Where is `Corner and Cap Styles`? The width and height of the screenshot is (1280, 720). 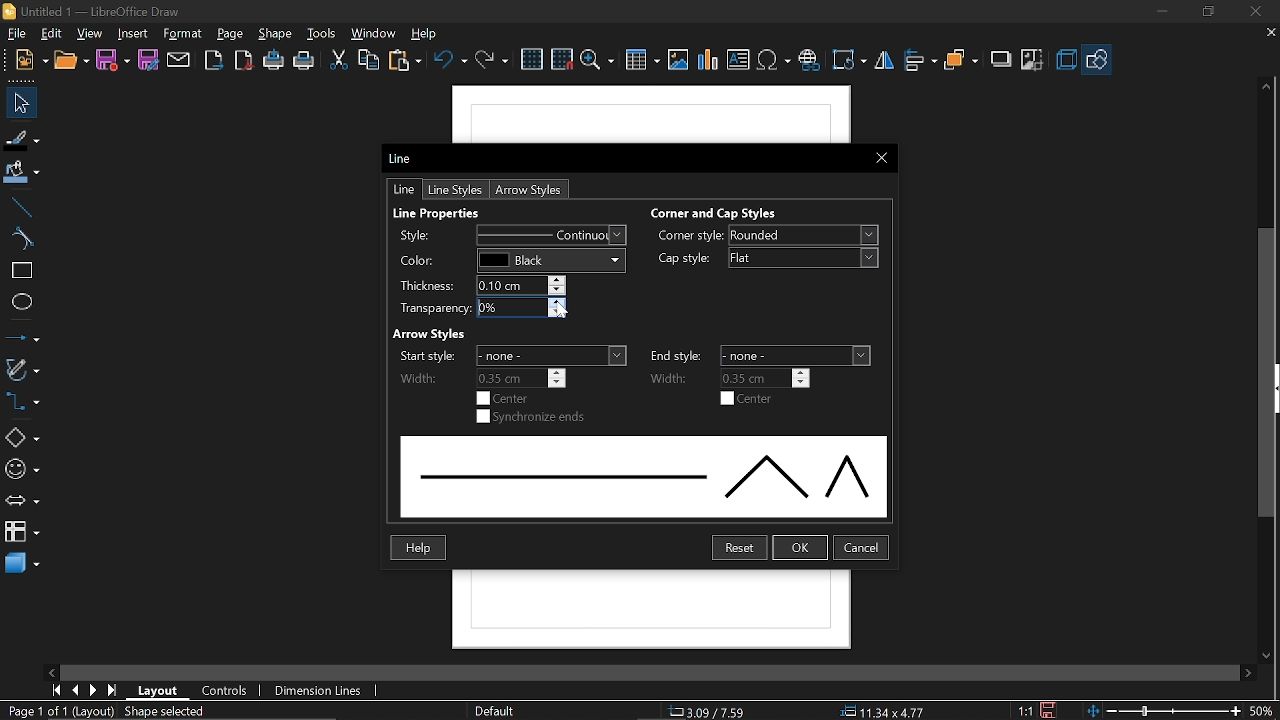
Corner and Cap Styles is located at coordinates (738, 207).